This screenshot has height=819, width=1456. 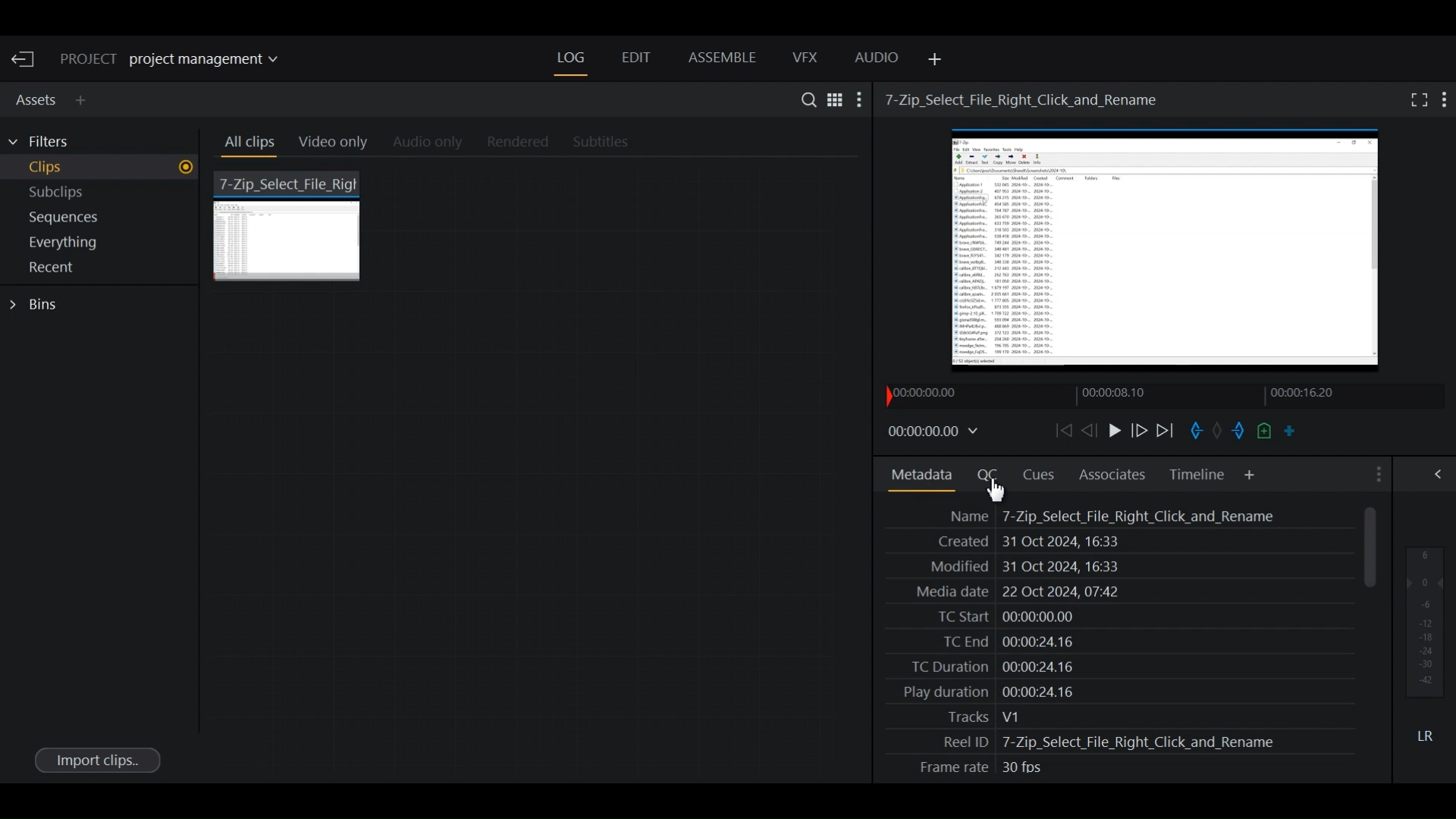 I want to click on Import clips, so click(x=96, y=759).